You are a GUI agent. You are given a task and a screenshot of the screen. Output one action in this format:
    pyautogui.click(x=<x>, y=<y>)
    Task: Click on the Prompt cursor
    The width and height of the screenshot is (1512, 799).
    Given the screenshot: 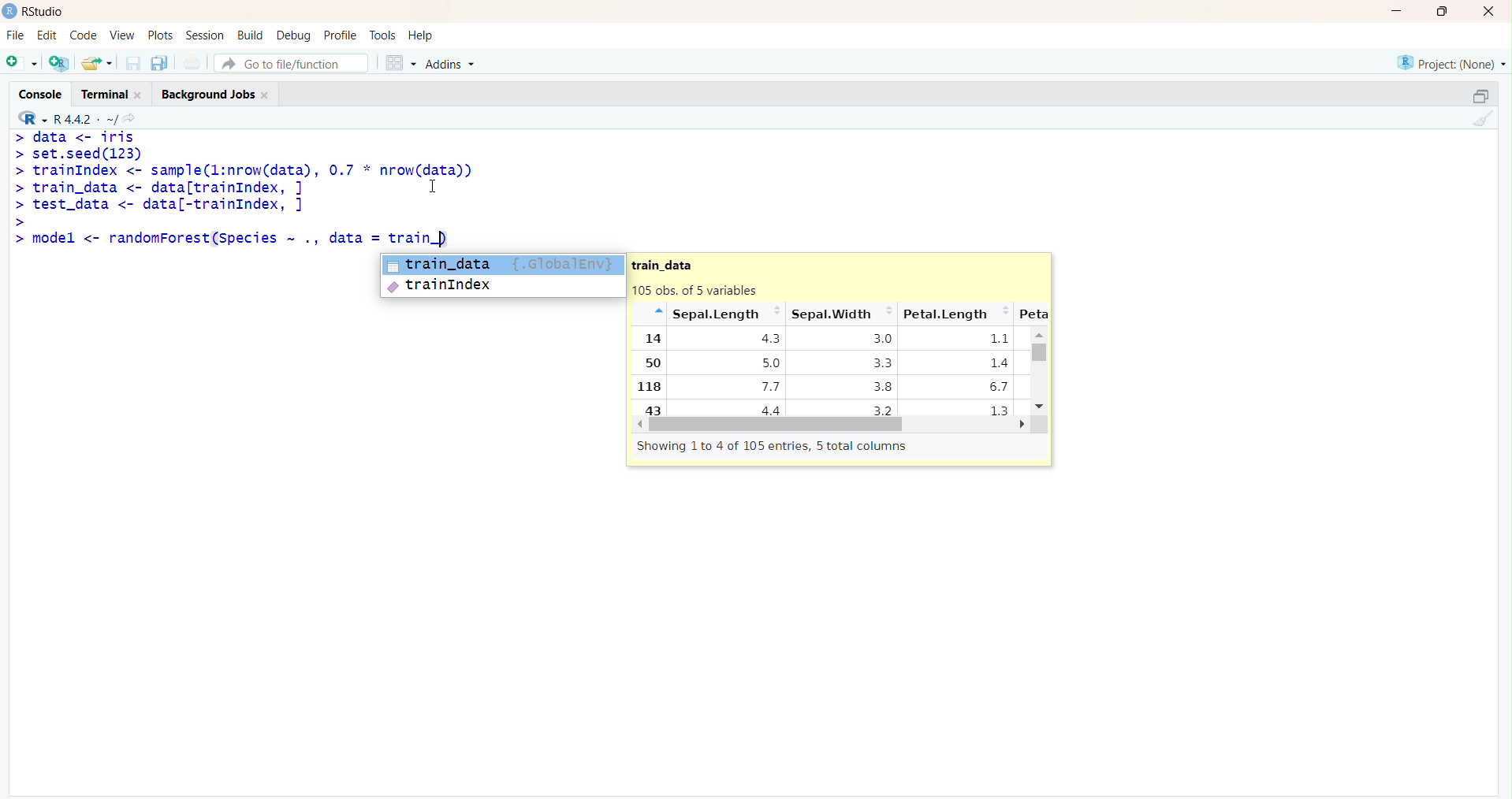 What is the action you would take?
    pyautogui.click(x=19, y=188)
    